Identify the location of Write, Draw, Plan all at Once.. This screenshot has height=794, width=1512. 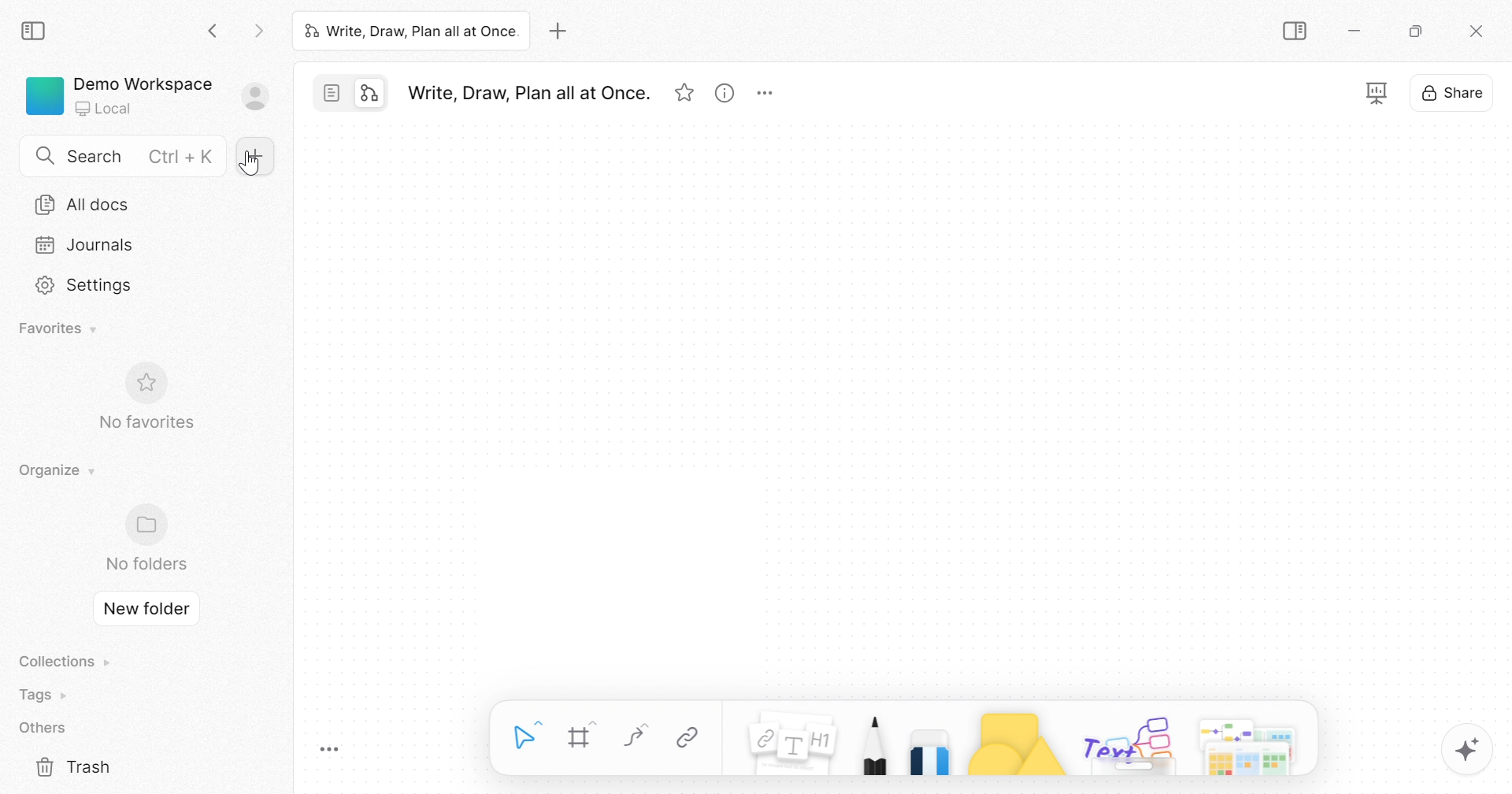
(528, 95).